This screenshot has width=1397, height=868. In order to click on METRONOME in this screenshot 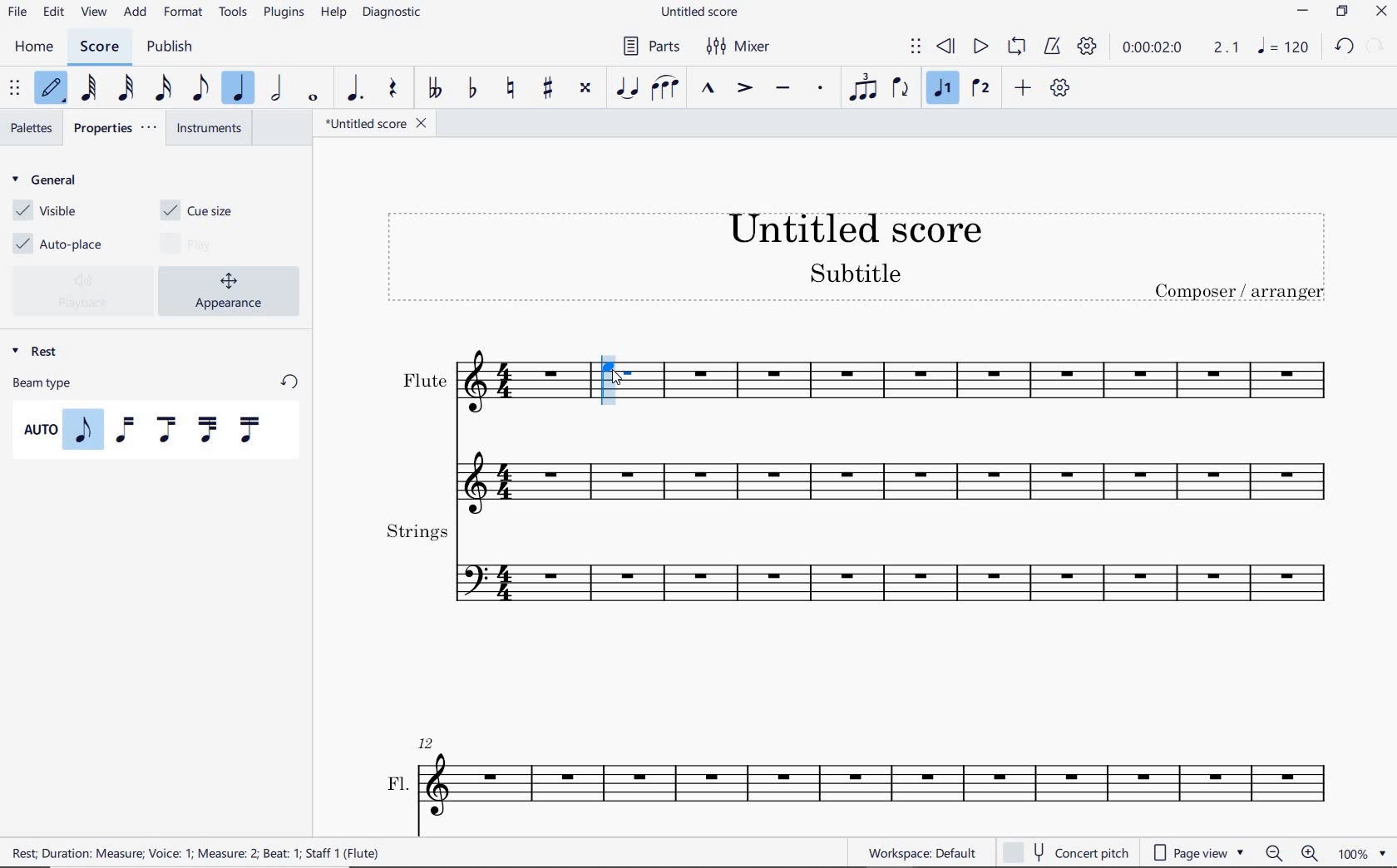, I will do `click(1055, 48)`.